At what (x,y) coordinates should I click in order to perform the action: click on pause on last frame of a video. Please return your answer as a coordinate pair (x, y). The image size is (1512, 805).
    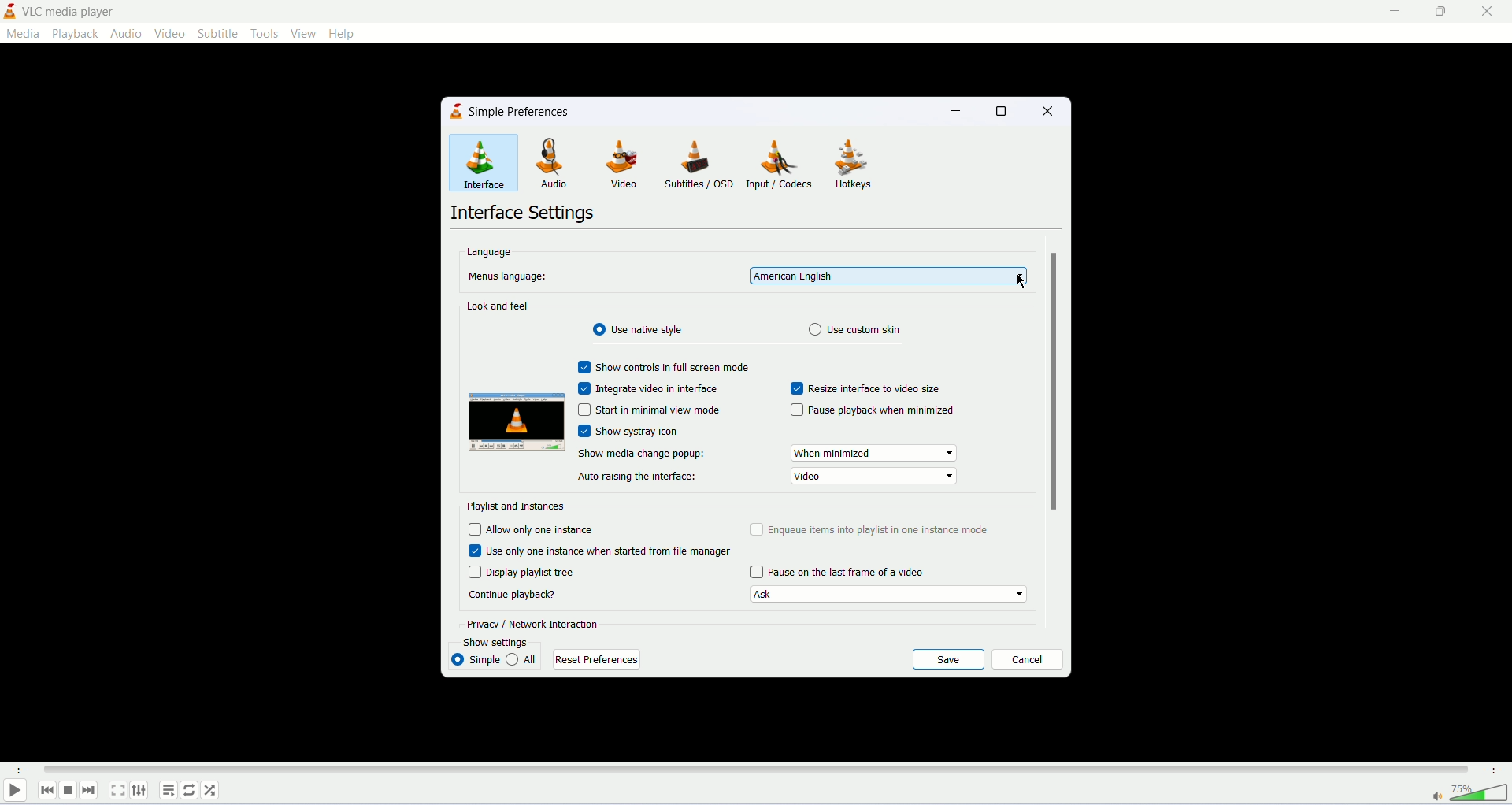
    Looking at the image, I should click on (836, 572).